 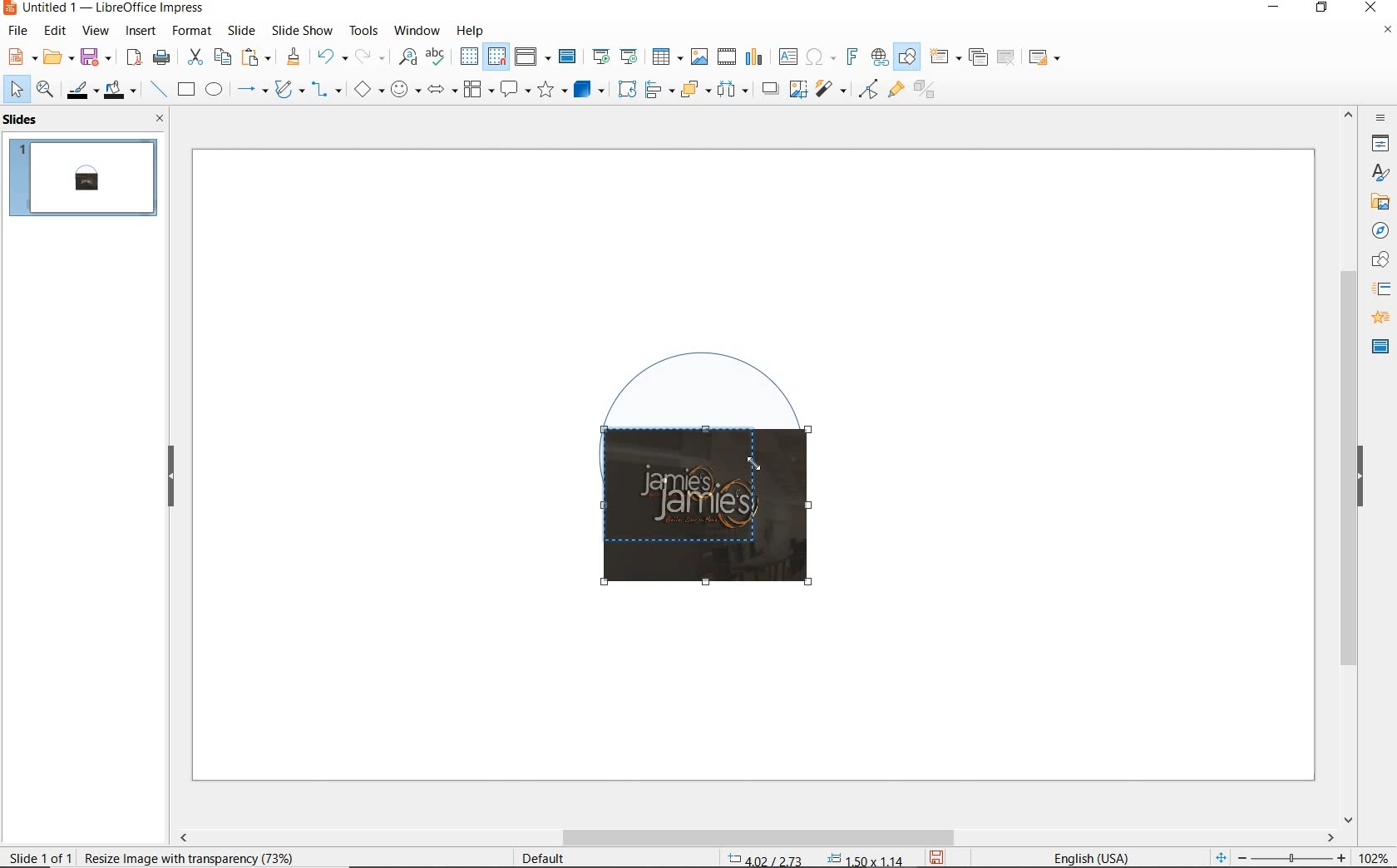 What do you see at coordinates (929, 91) in the screenshot?
I see `toggle extrusion` at bounding box center [929, 91].